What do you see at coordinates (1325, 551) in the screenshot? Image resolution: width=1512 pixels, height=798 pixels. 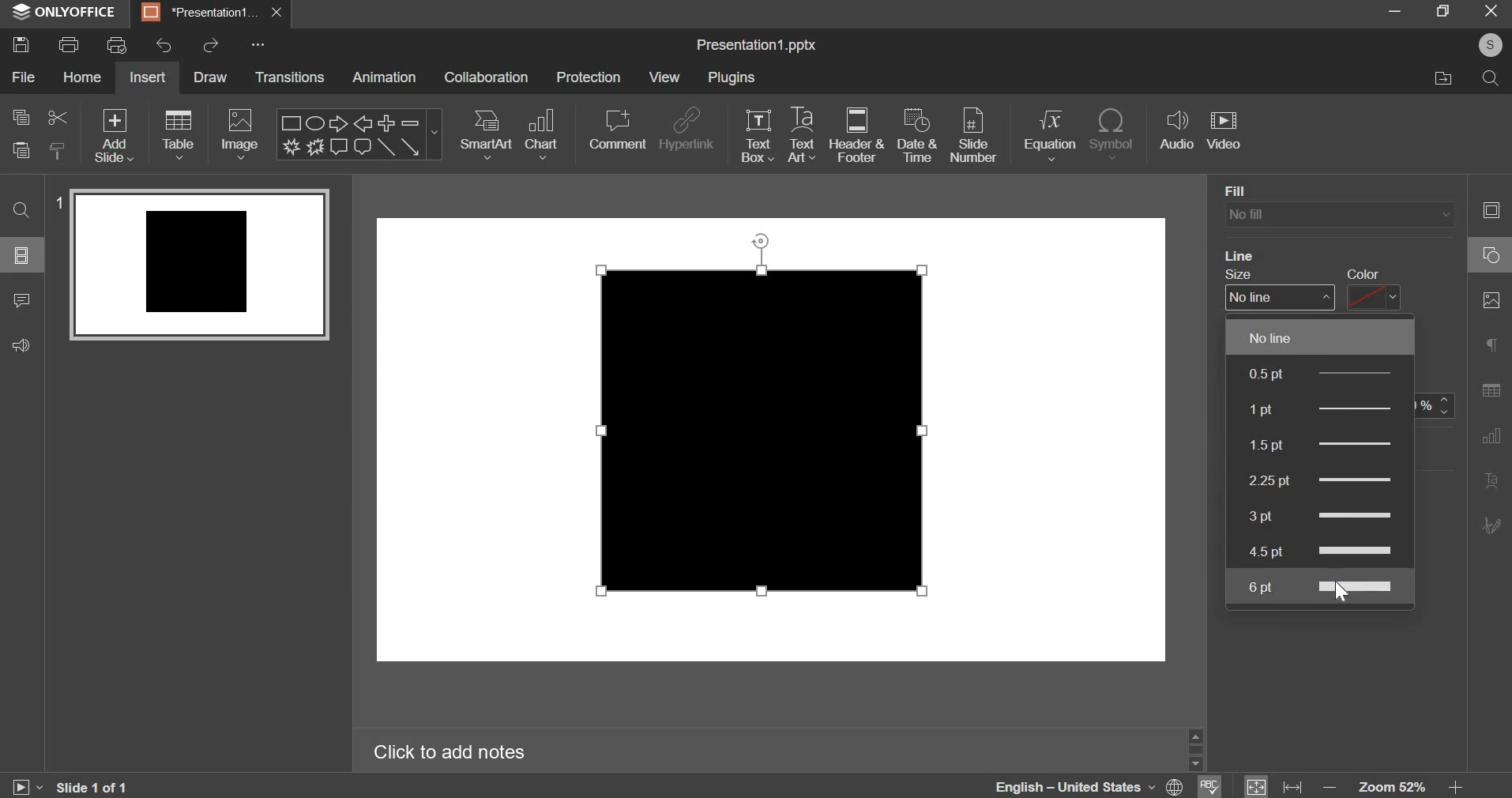 I see `4.5pt` at bounding box center [1325, 551].